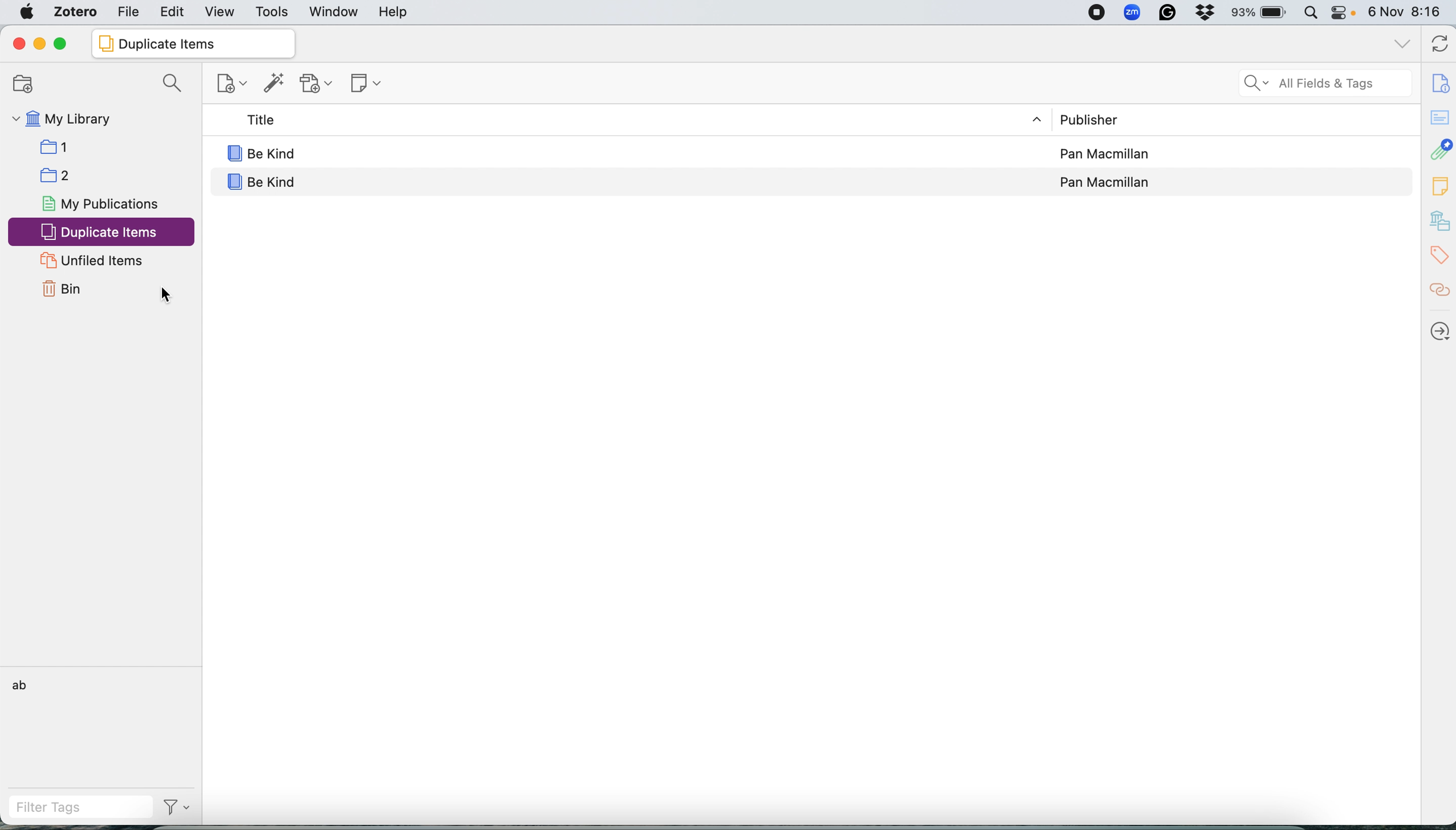  What do you see at coordinates (66, 43) in the screenshot?
I see `maximize` at bounding box center [66, 43].